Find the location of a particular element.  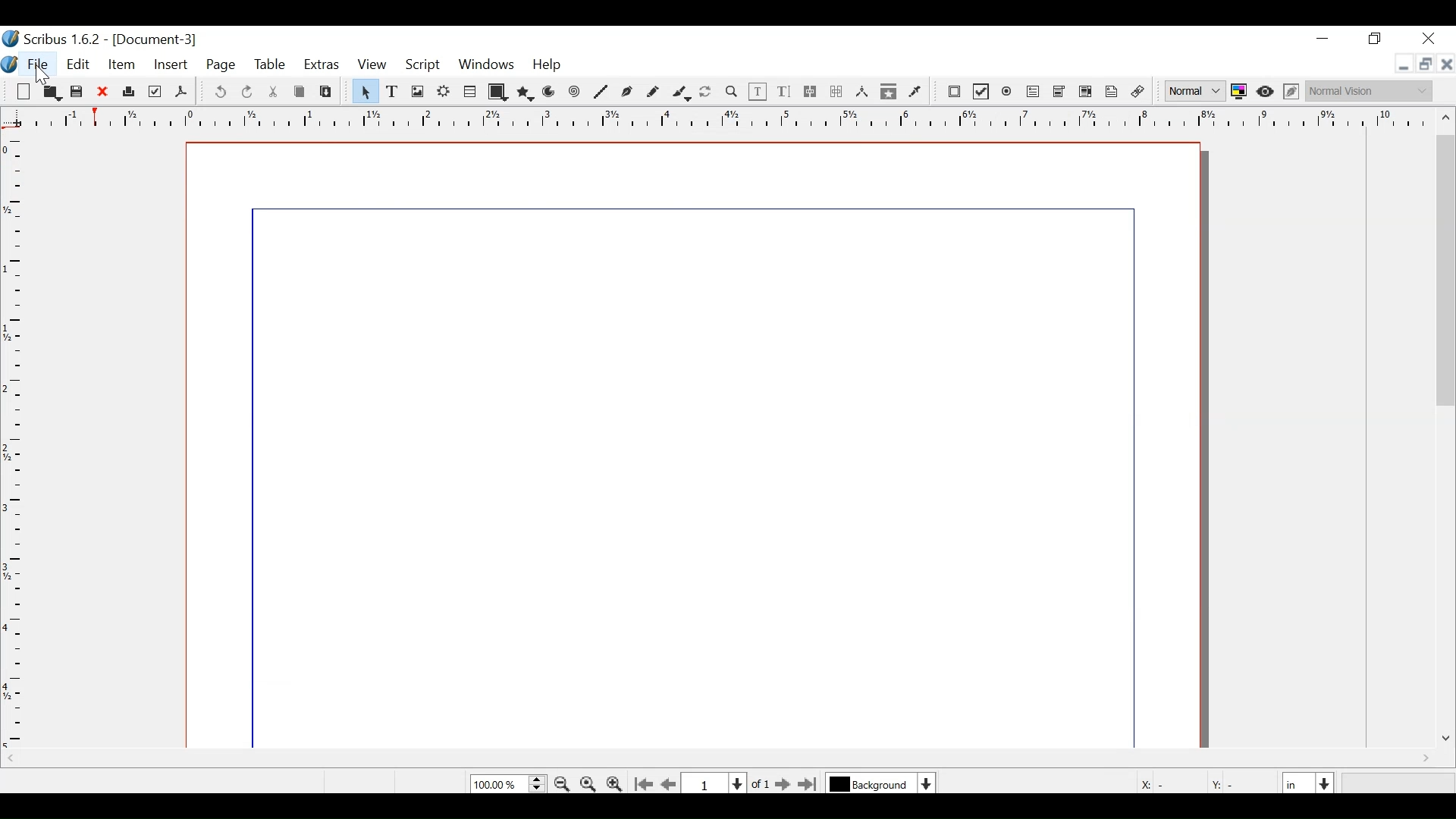

Eyedropper is located at coordinates (915, 92).